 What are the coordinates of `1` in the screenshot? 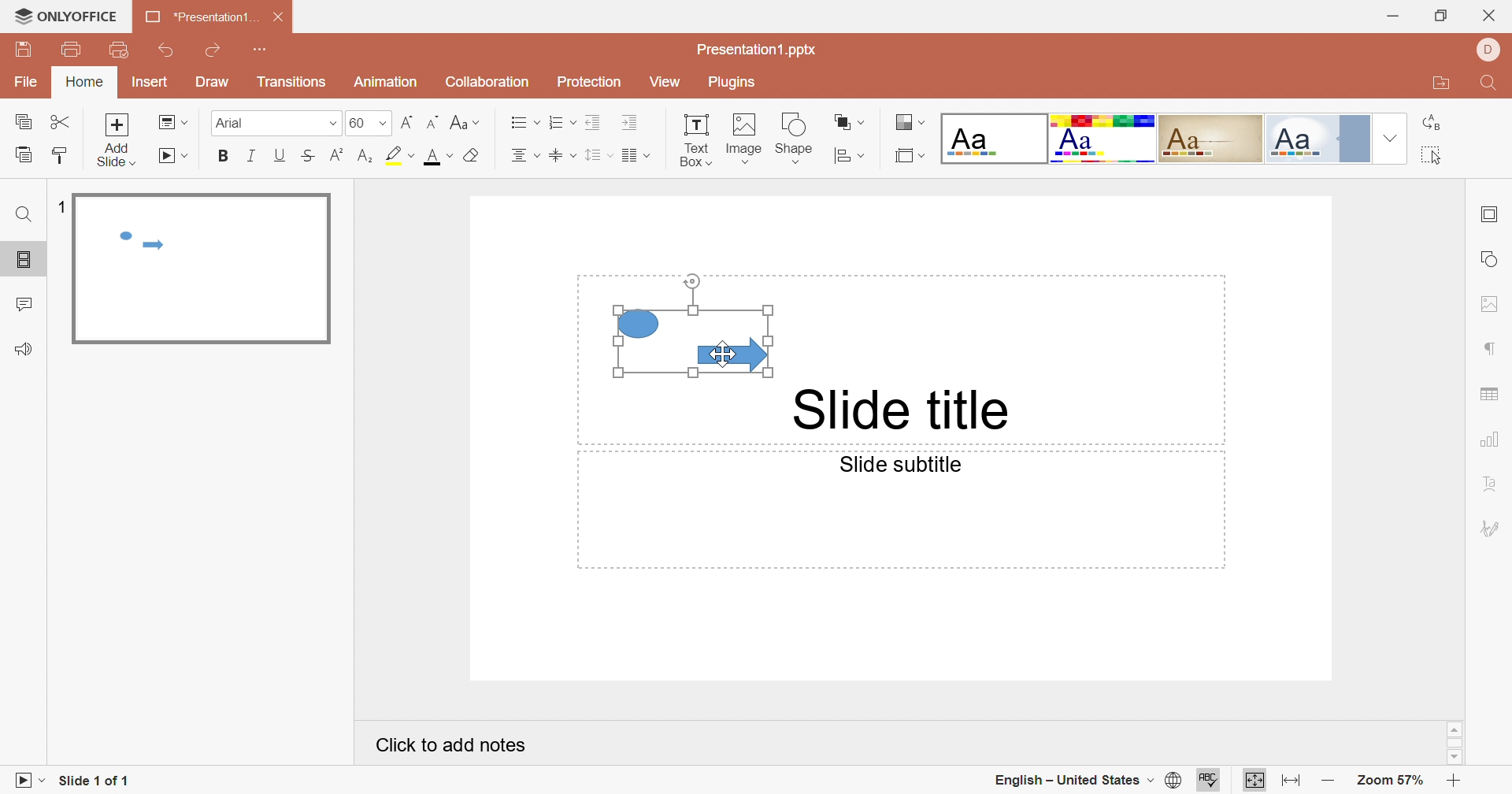 It's located at (60, 203).